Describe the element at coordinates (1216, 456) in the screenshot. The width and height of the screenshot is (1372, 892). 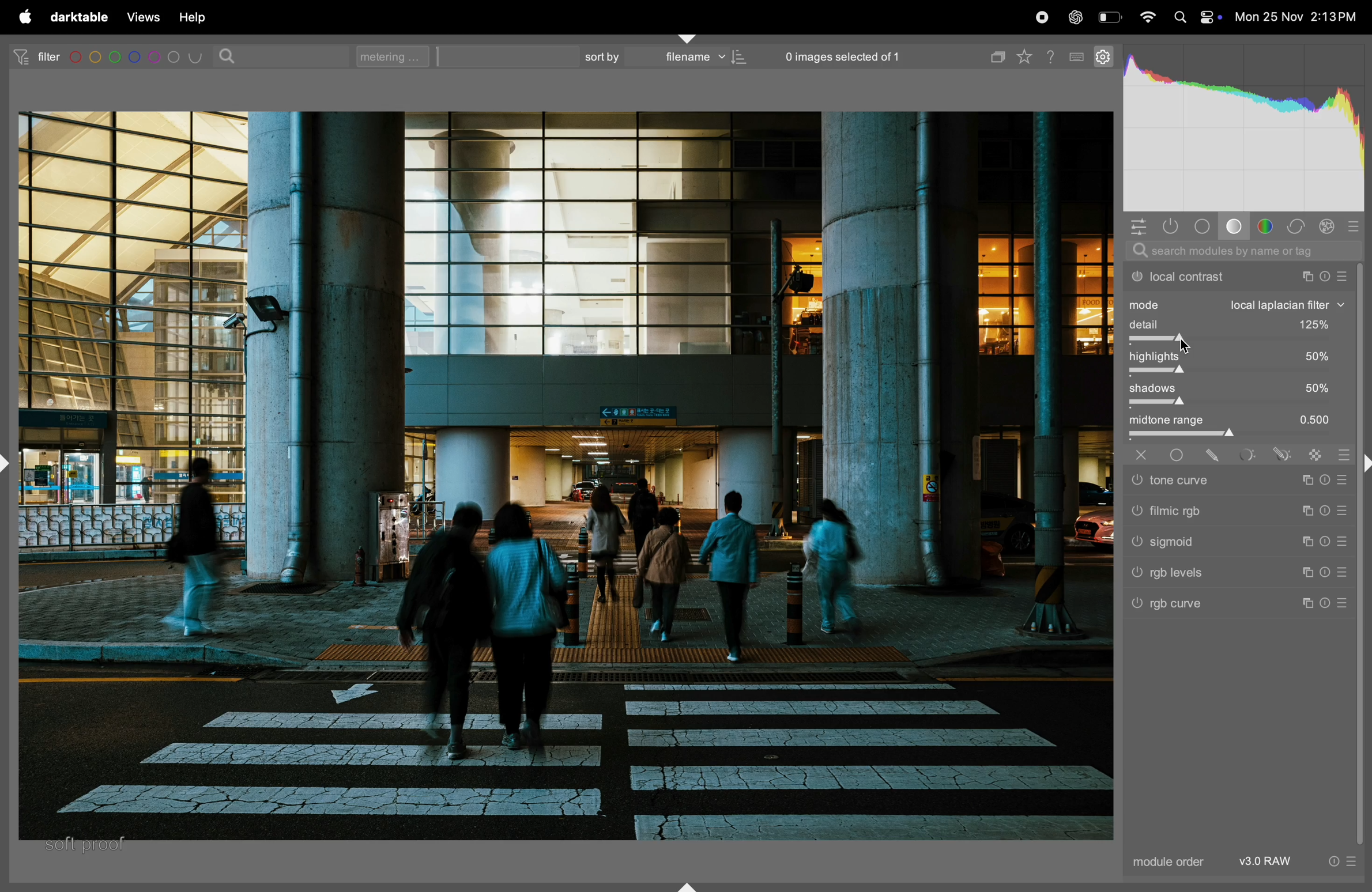
I see `drawn mask` at that location.